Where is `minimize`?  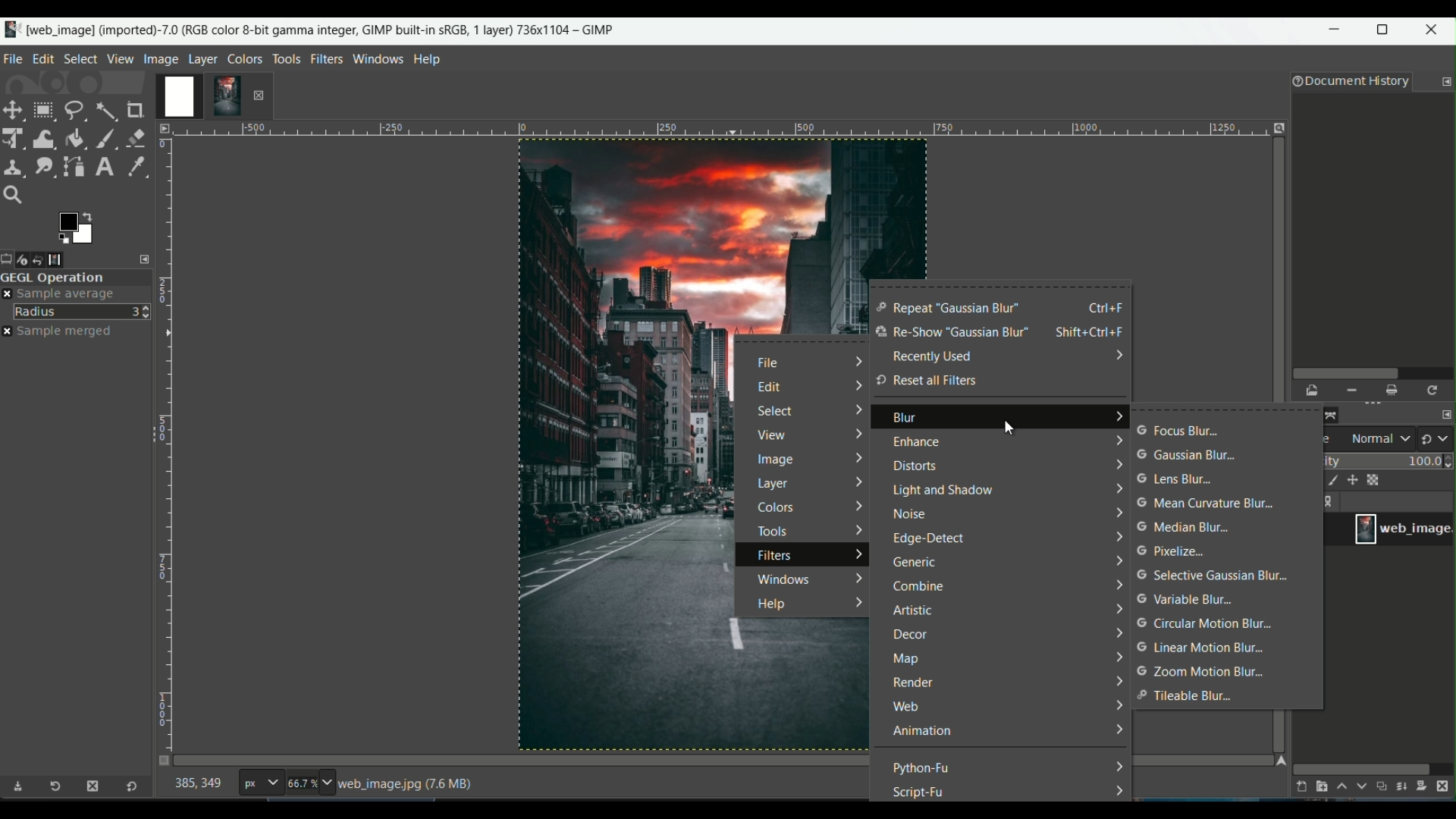 minimize is located at coordinates (1335, 33).